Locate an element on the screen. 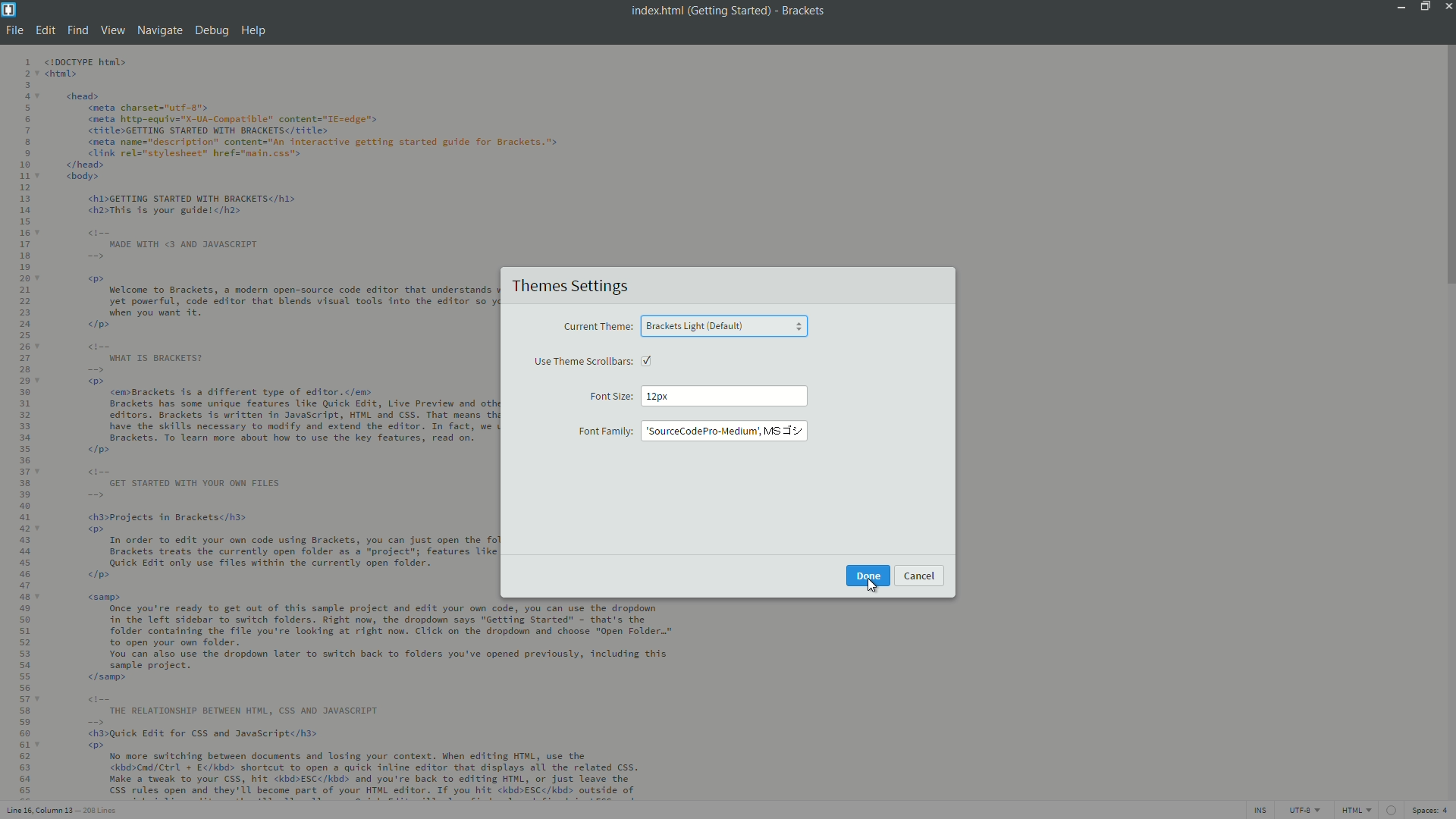 The width and height of the screenshot is (1456, 819). file menu is located at coordinates (13, 30).